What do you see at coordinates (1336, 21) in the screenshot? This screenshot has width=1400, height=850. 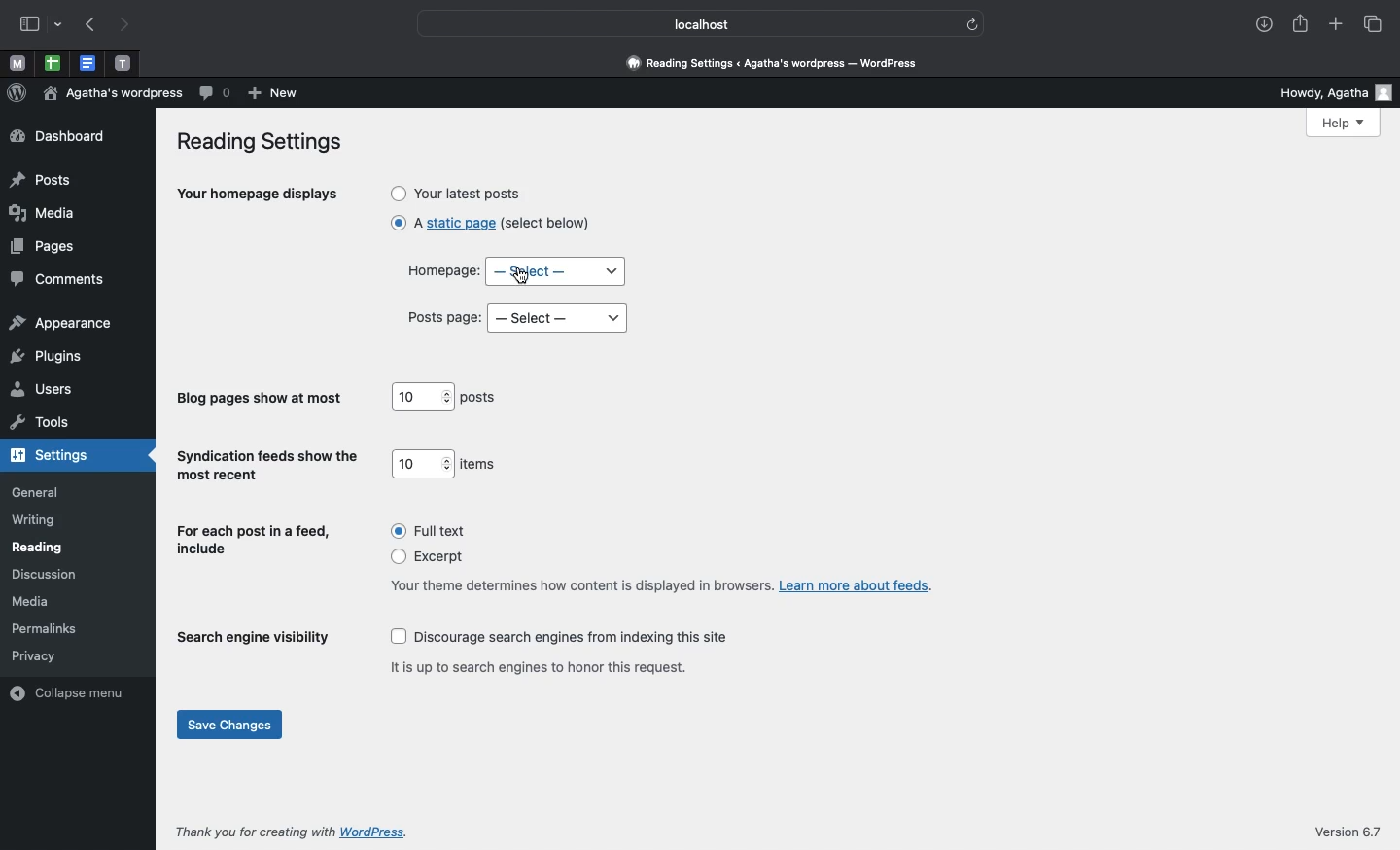 I see `Add new tab` at bounding box center [1336, 21].